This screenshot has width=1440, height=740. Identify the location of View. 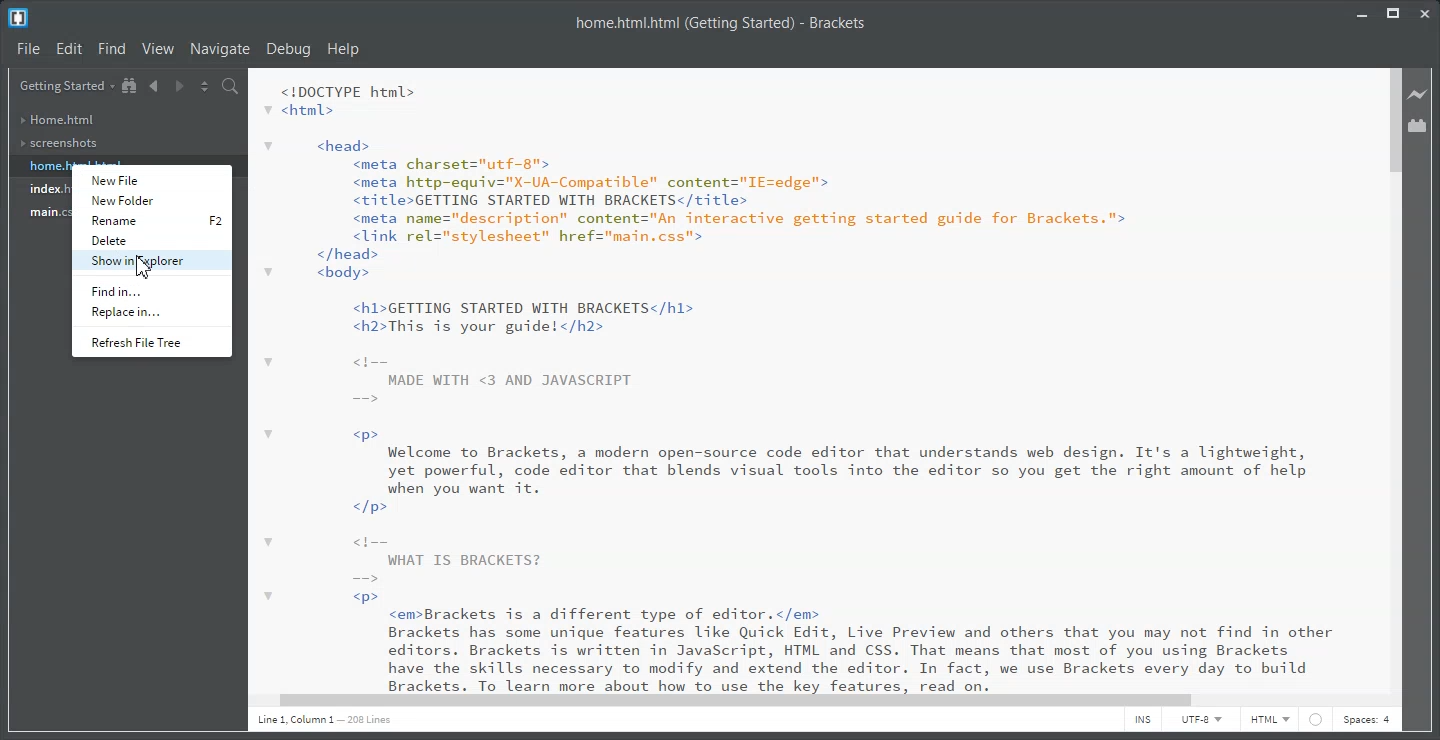
(160, 48).